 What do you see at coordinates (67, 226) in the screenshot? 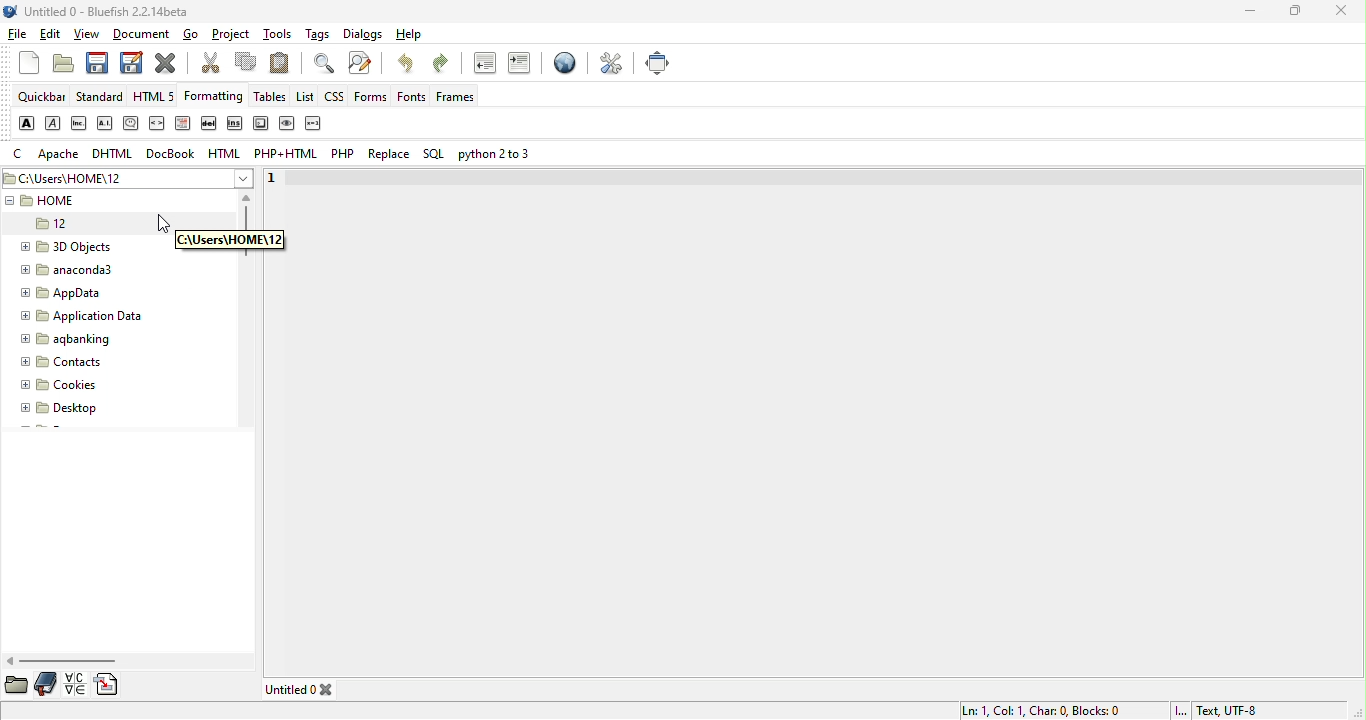
I see `12` at bounding box center [67, 226].